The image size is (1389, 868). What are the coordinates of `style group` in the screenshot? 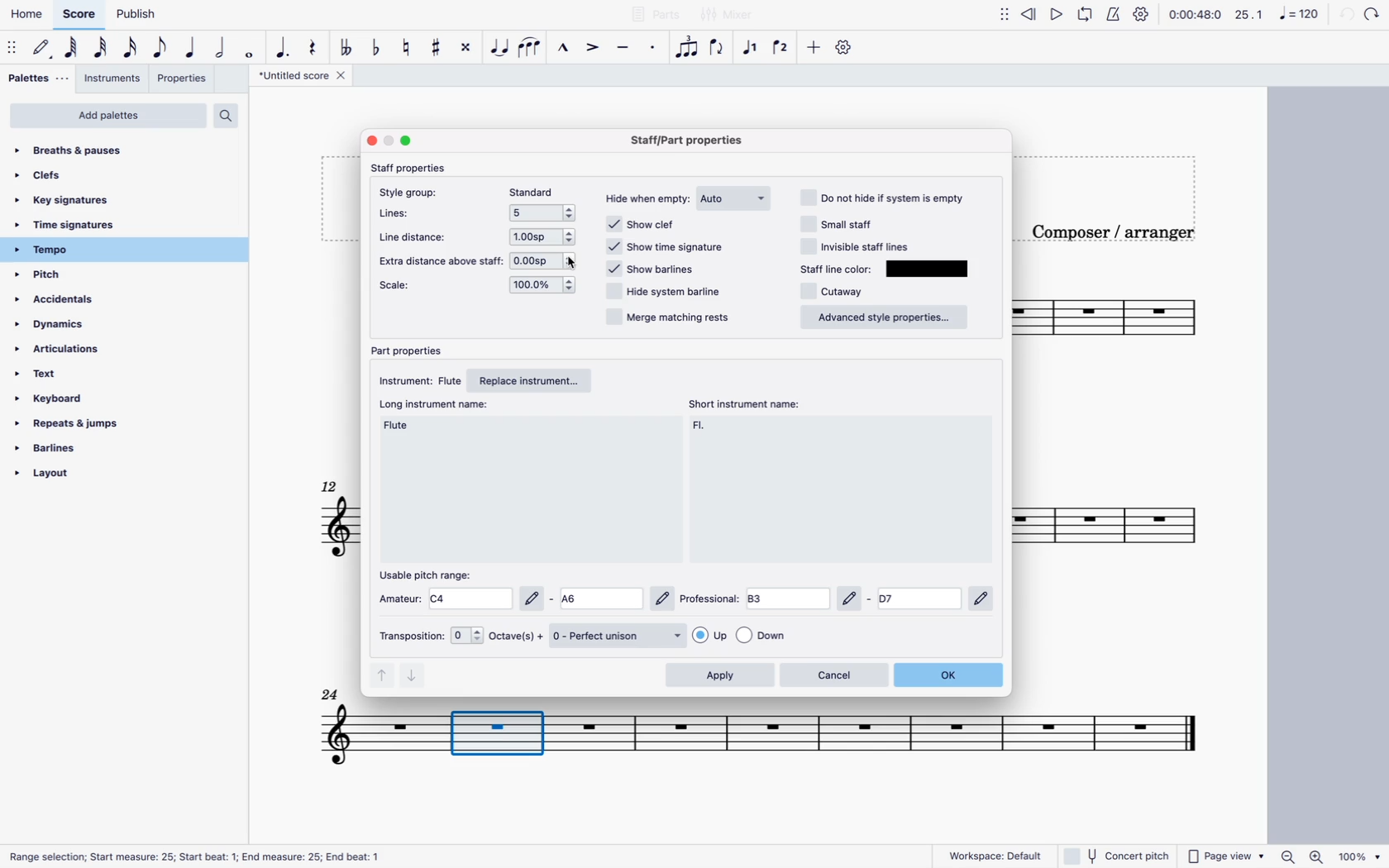 It's located at (407, 192).